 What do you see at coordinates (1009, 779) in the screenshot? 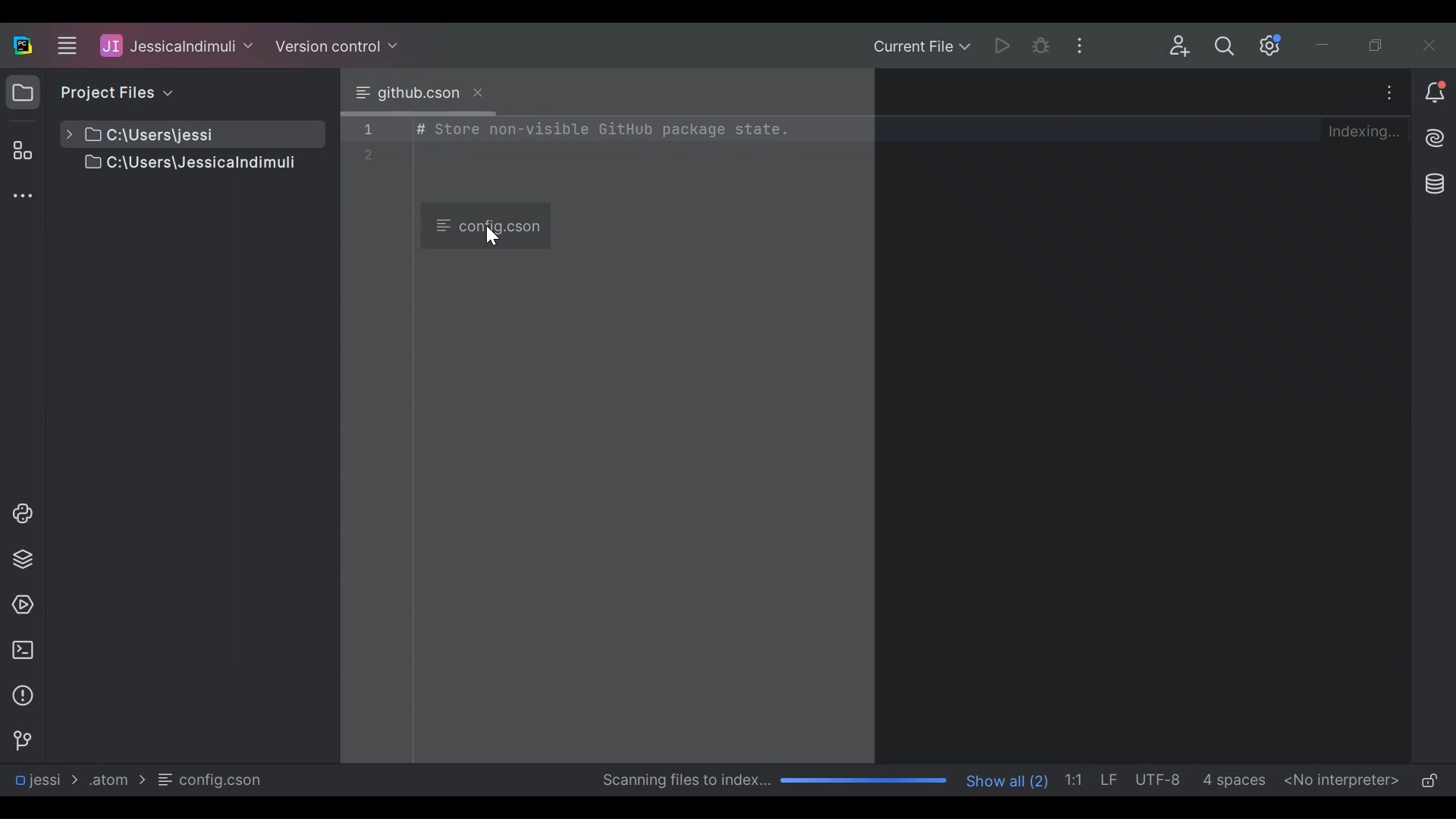
I see `Show Number of Files` at bounding box center [1009, 779].